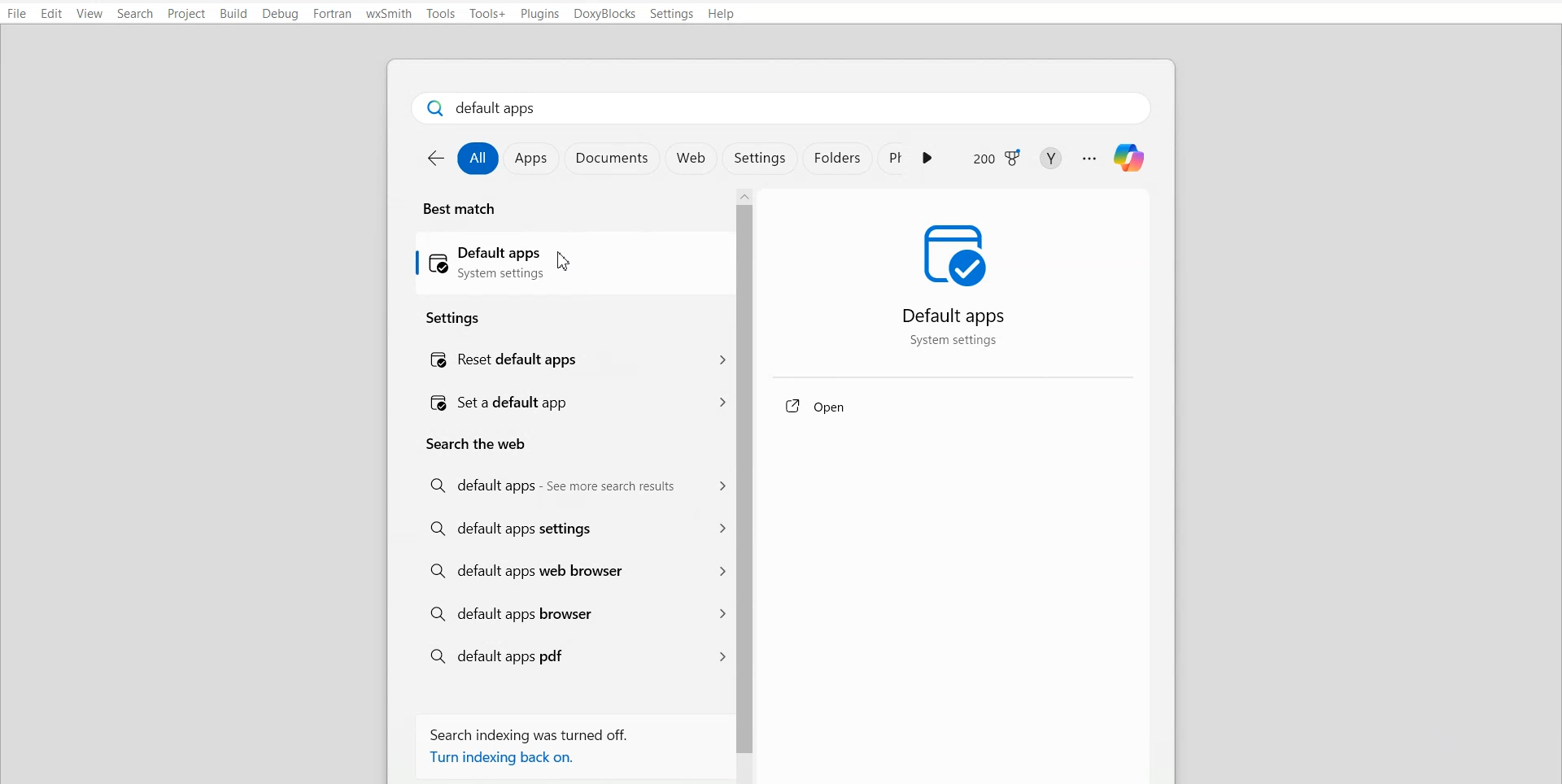 The width and height of the screenshot is (1562, 784). What do you see at coordinates (89, 14) in the screenshot?
I see `View` at bounding box center [89, 14].